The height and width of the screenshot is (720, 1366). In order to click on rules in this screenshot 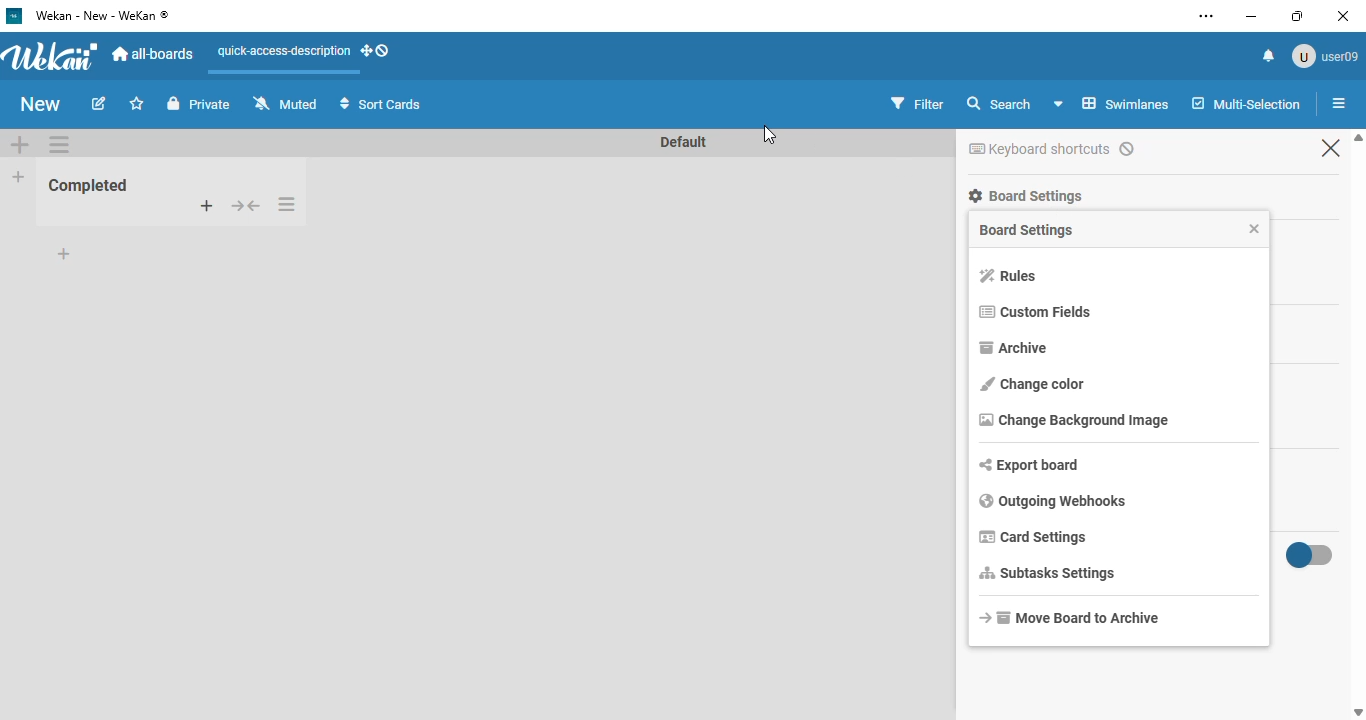, I will do `click(1008, 276)`.